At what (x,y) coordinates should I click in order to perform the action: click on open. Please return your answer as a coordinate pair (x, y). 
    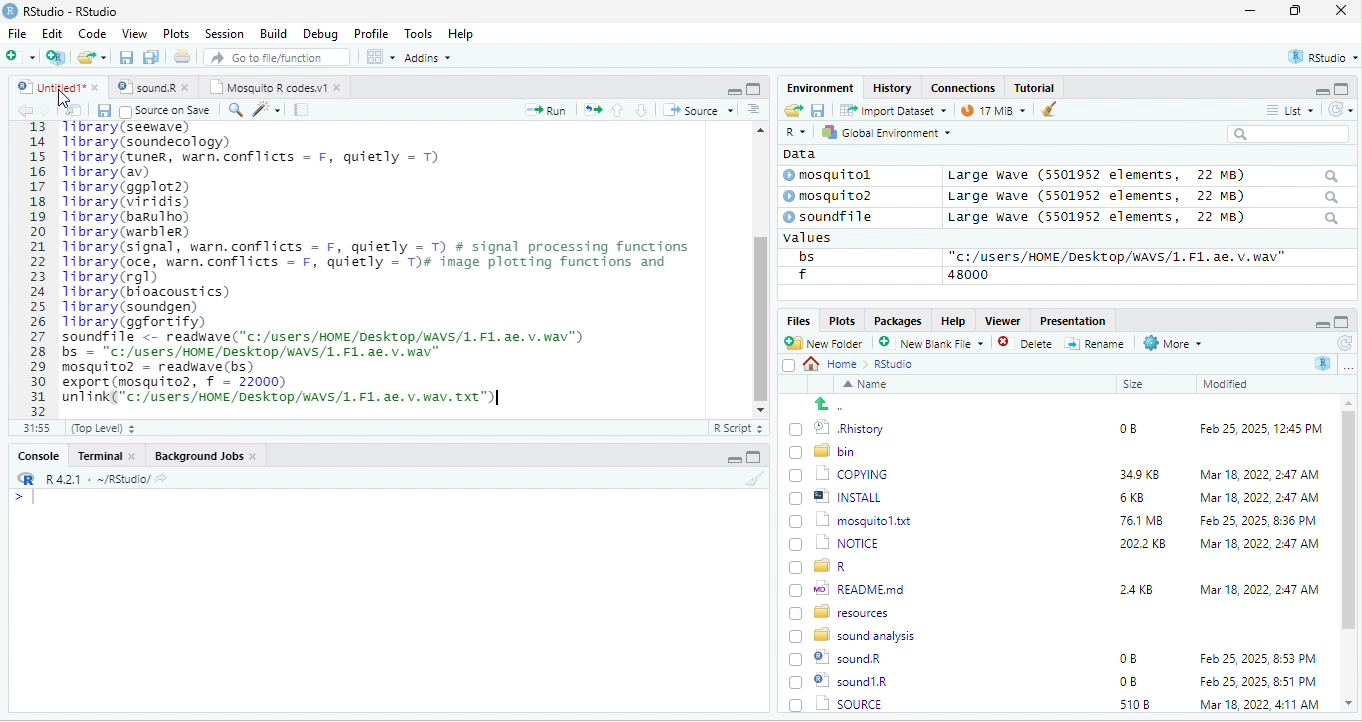
    Looking at the image, I should click on (74, 110).